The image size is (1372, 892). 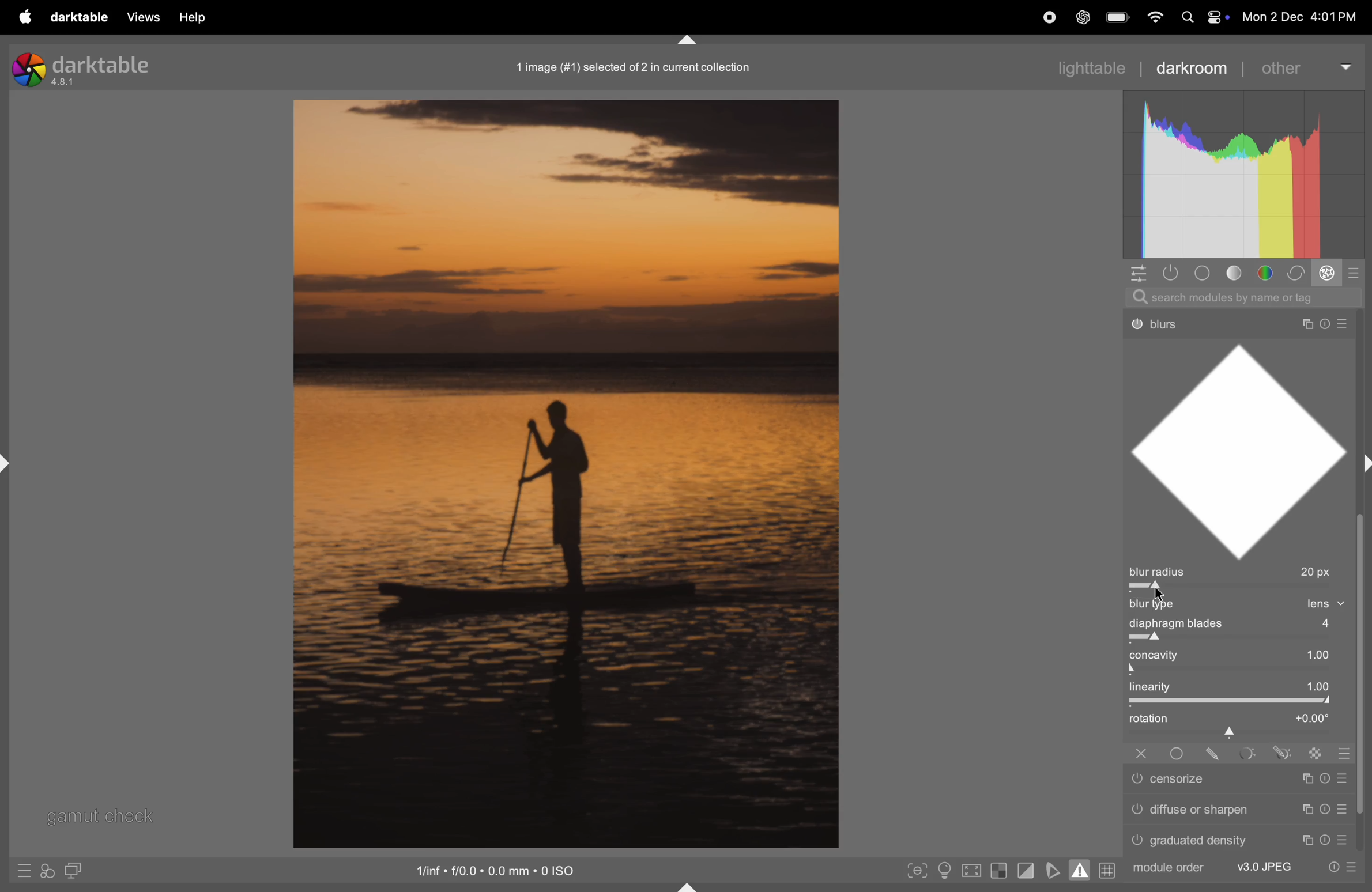 I want to click on , so click(x=1235, y=319).